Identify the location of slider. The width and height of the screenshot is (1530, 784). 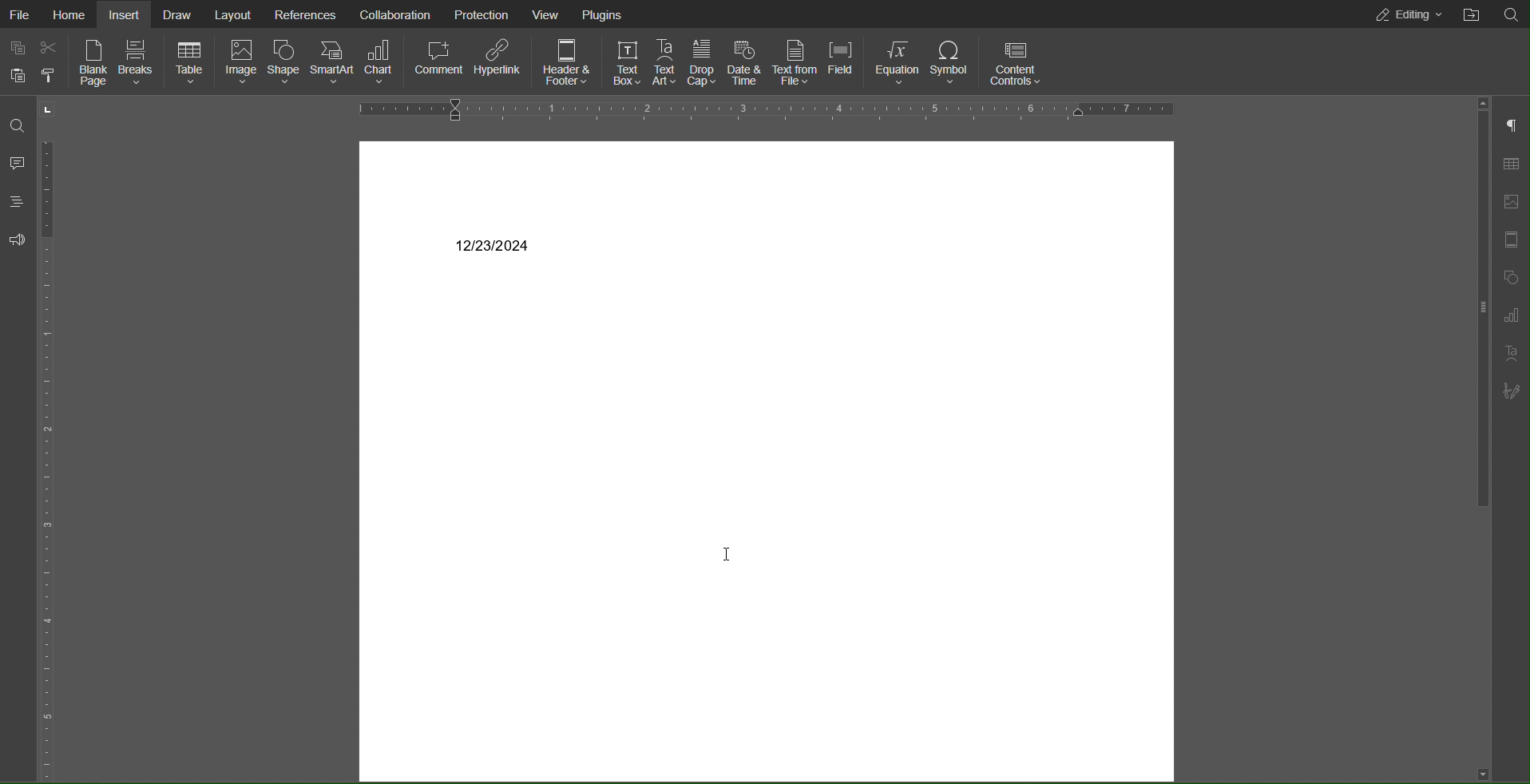
(1470, 329).